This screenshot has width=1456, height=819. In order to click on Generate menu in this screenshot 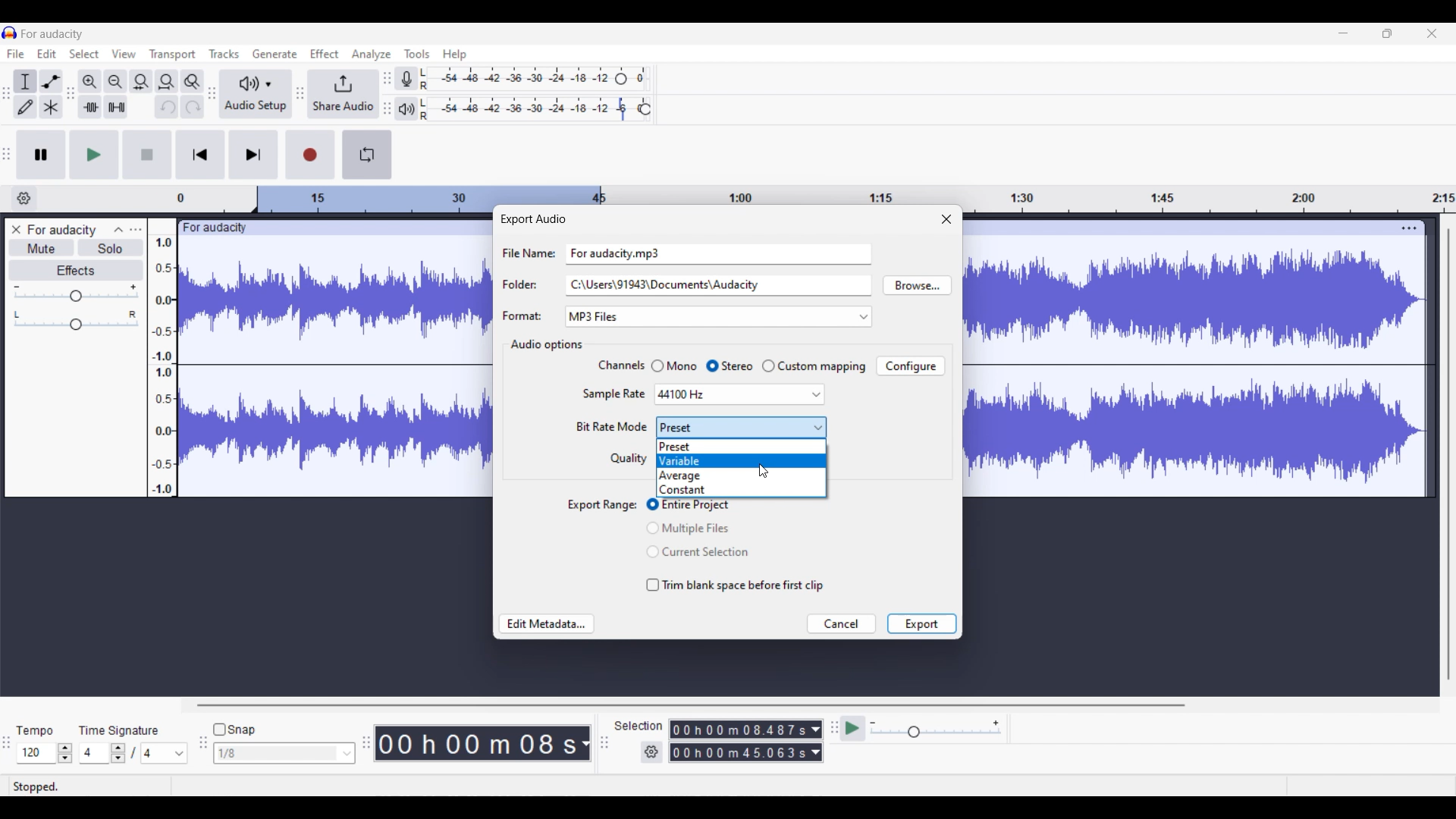, I will do `click(275, 54)`.